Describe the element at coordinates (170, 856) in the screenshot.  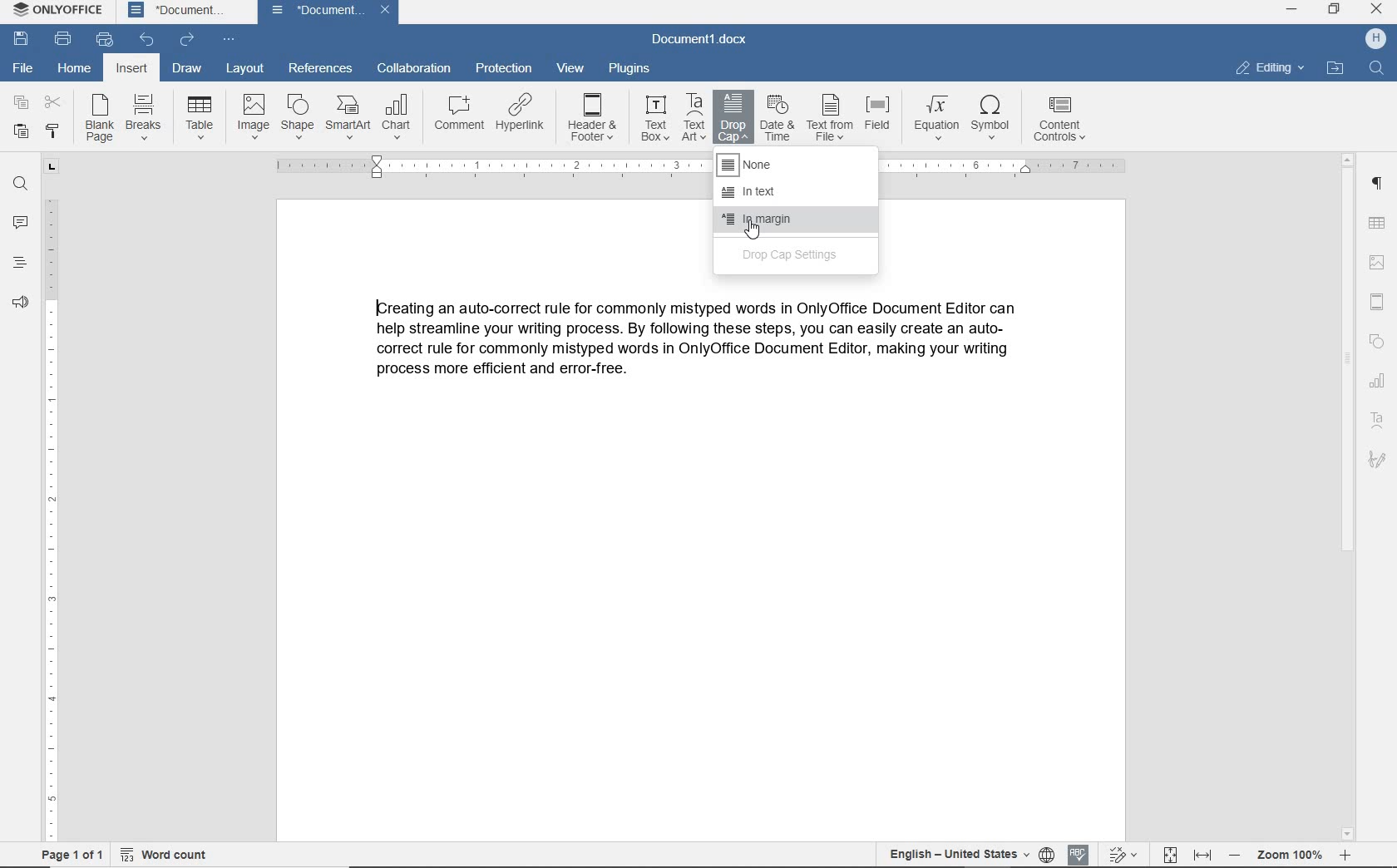
I see `word count` at that location.